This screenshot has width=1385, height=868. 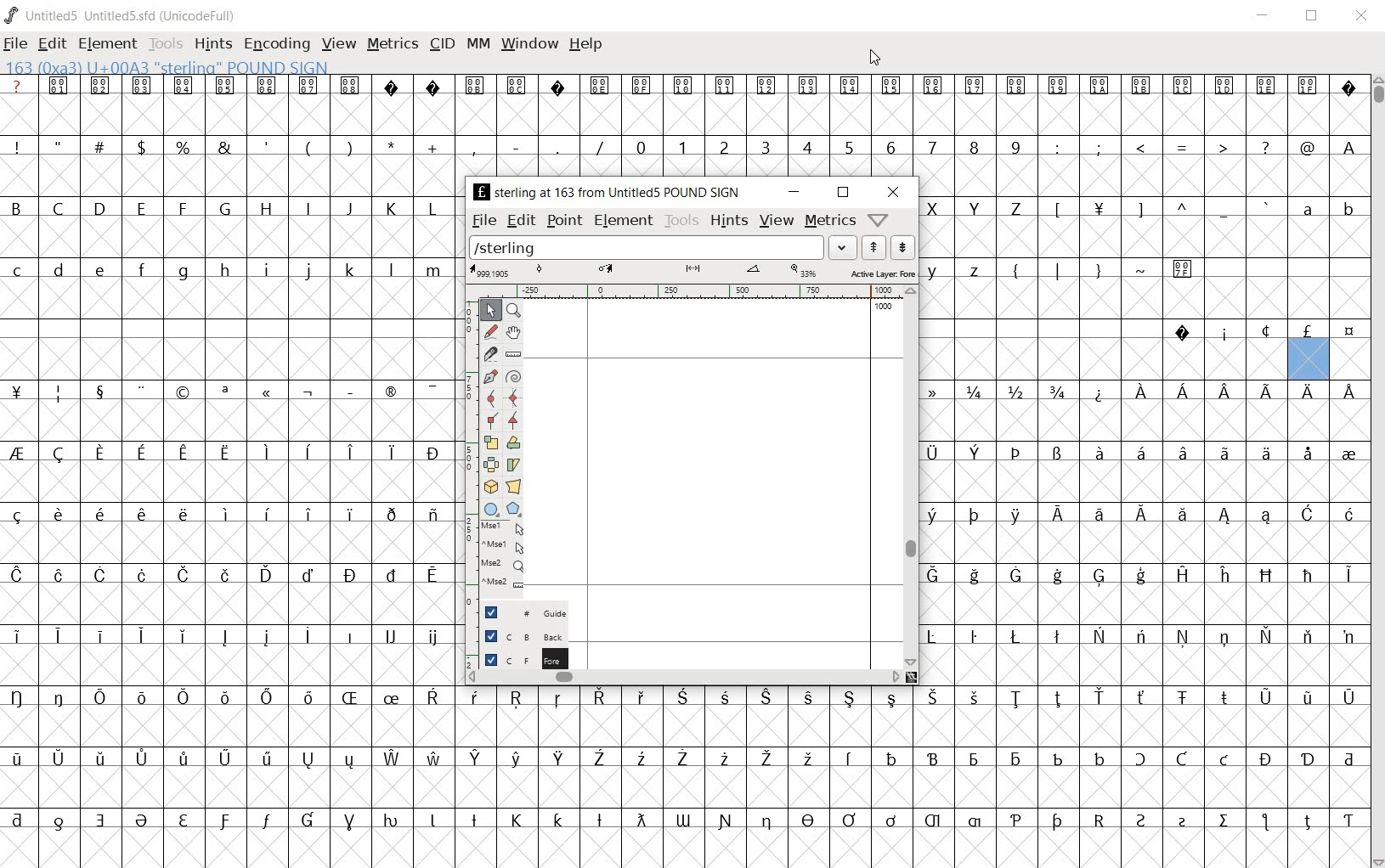 I want to click on K, so click(x=391, y=208).